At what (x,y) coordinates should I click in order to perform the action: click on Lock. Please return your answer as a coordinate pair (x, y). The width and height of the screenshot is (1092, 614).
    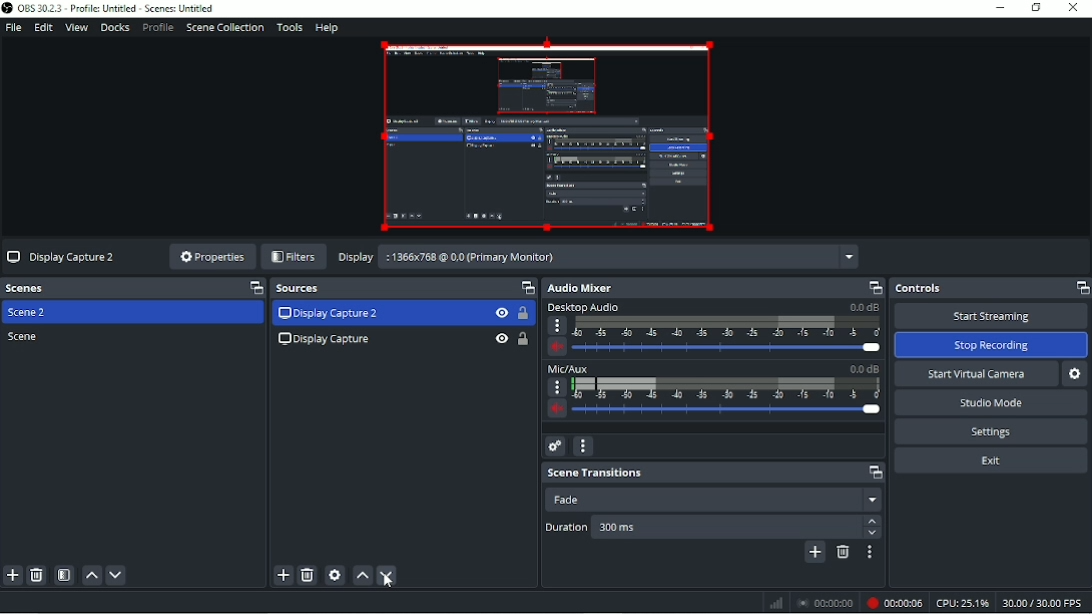
    Looking at the image, I should click on (523, 339).